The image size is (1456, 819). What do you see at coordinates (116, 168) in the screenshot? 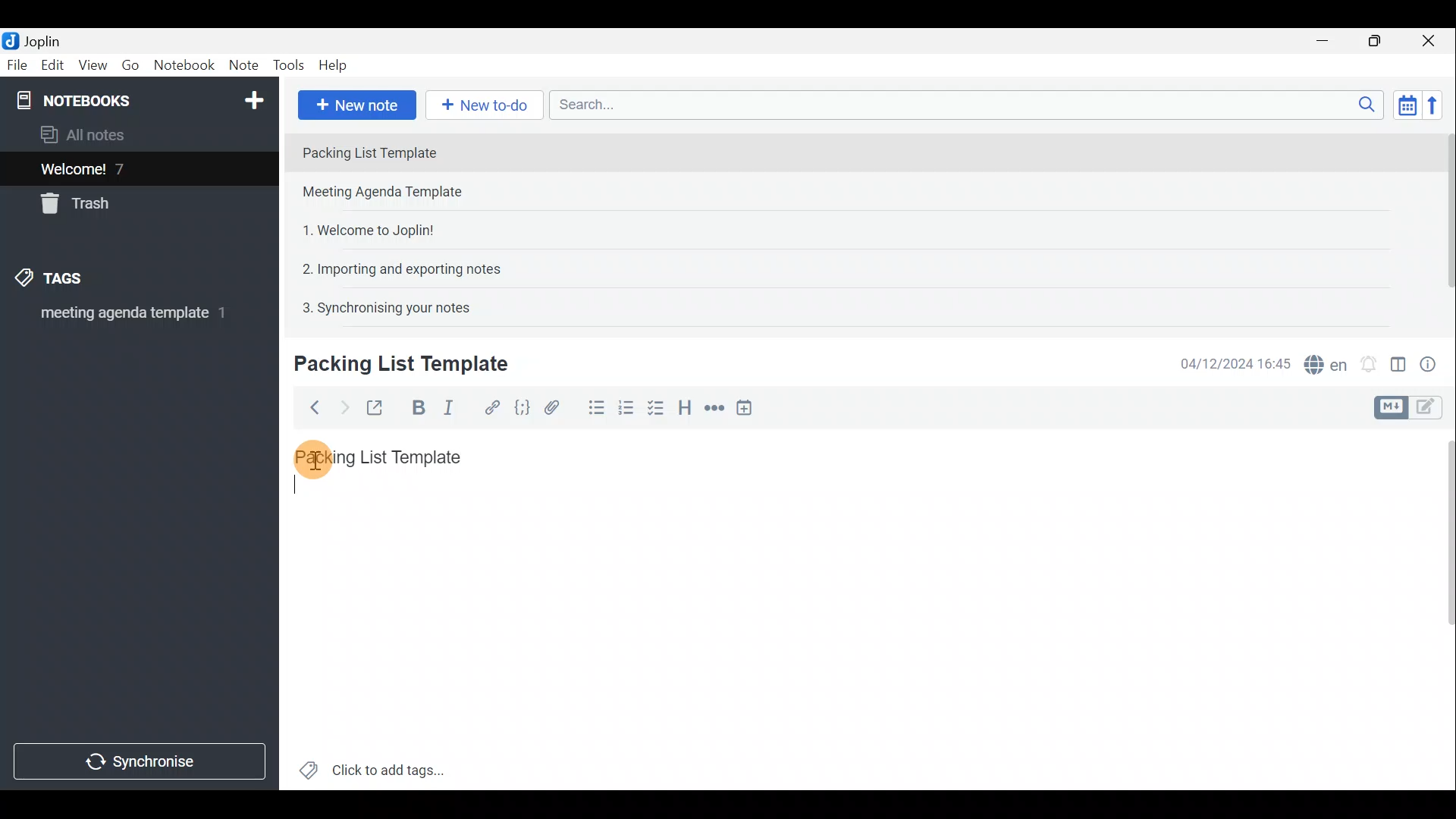
I see `Welcome` at bounding box center [116, 168].